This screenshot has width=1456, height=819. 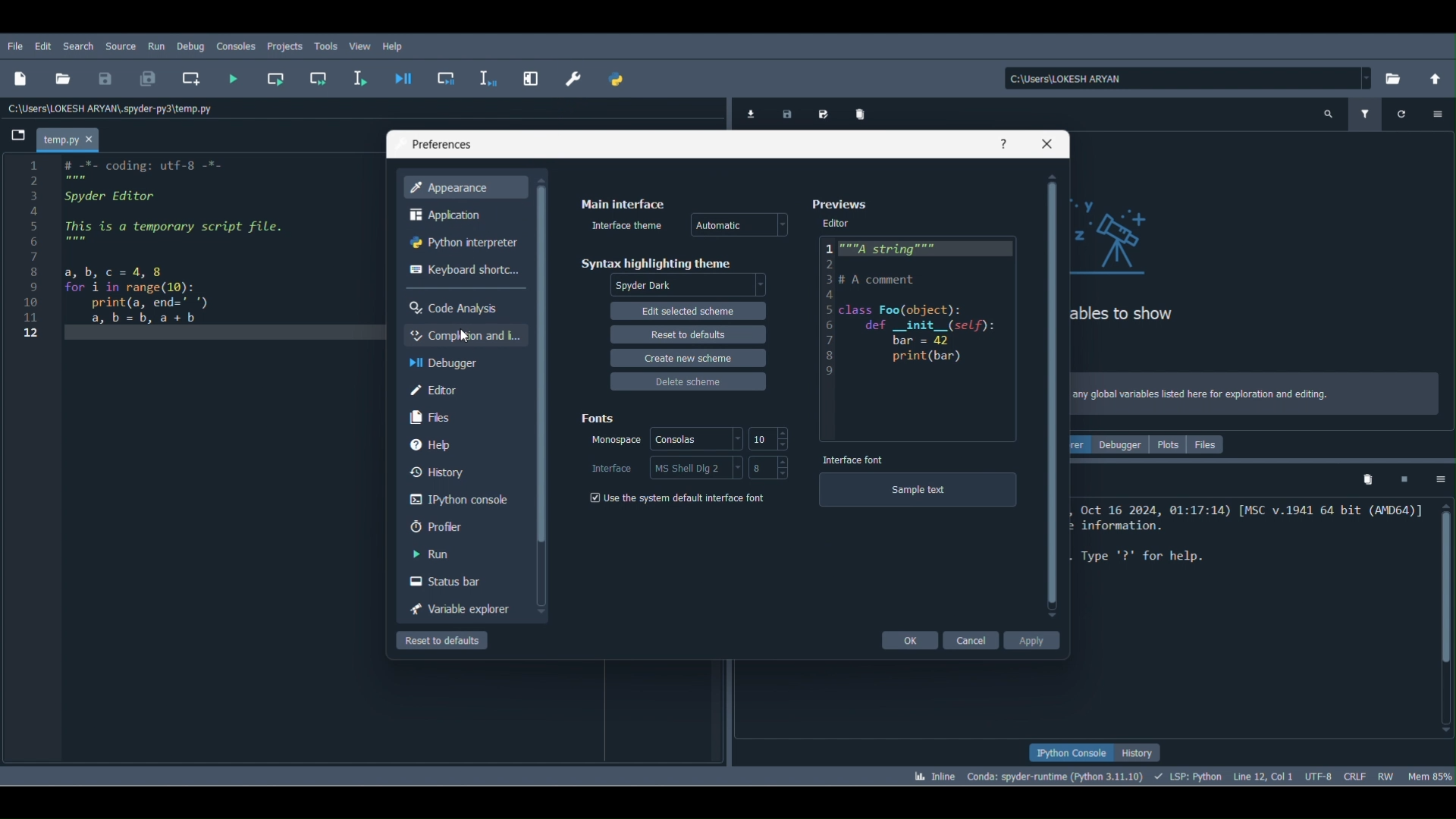 I want to click on Reset to defaults, so click(x=688, y=334).